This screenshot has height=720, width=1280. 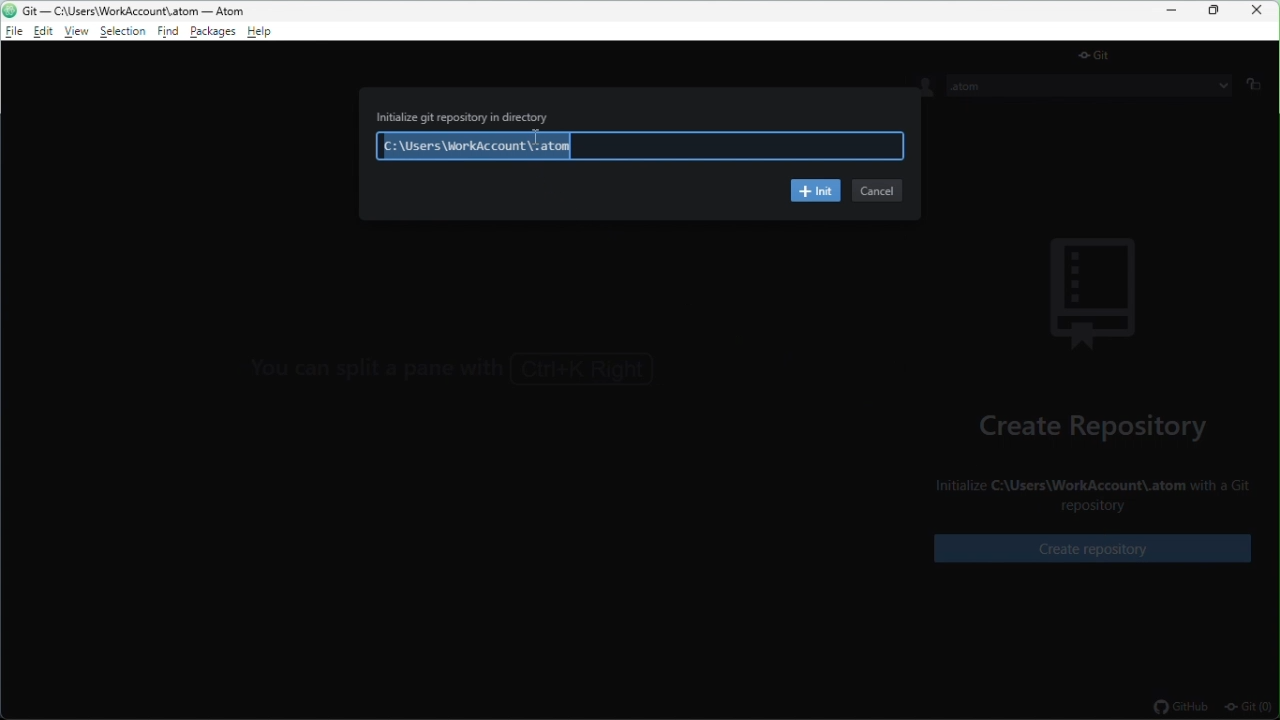 What do you see at coordinates (1100, 292) in the screenshot?
I see `background image` at bounding box center [1100, 292].